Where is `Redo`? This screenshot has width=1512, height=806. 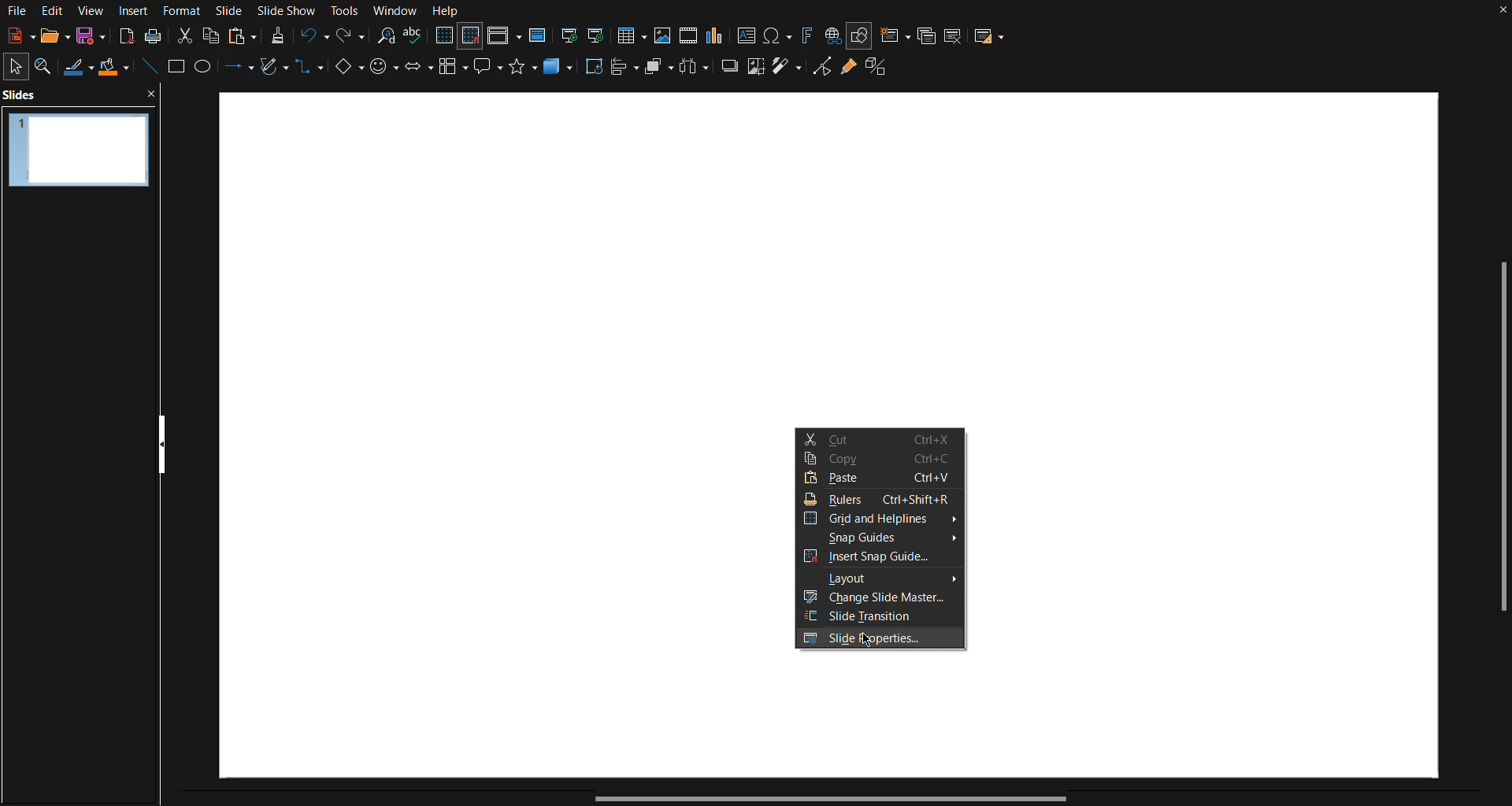 Redo is located at coordinates (349, 36).